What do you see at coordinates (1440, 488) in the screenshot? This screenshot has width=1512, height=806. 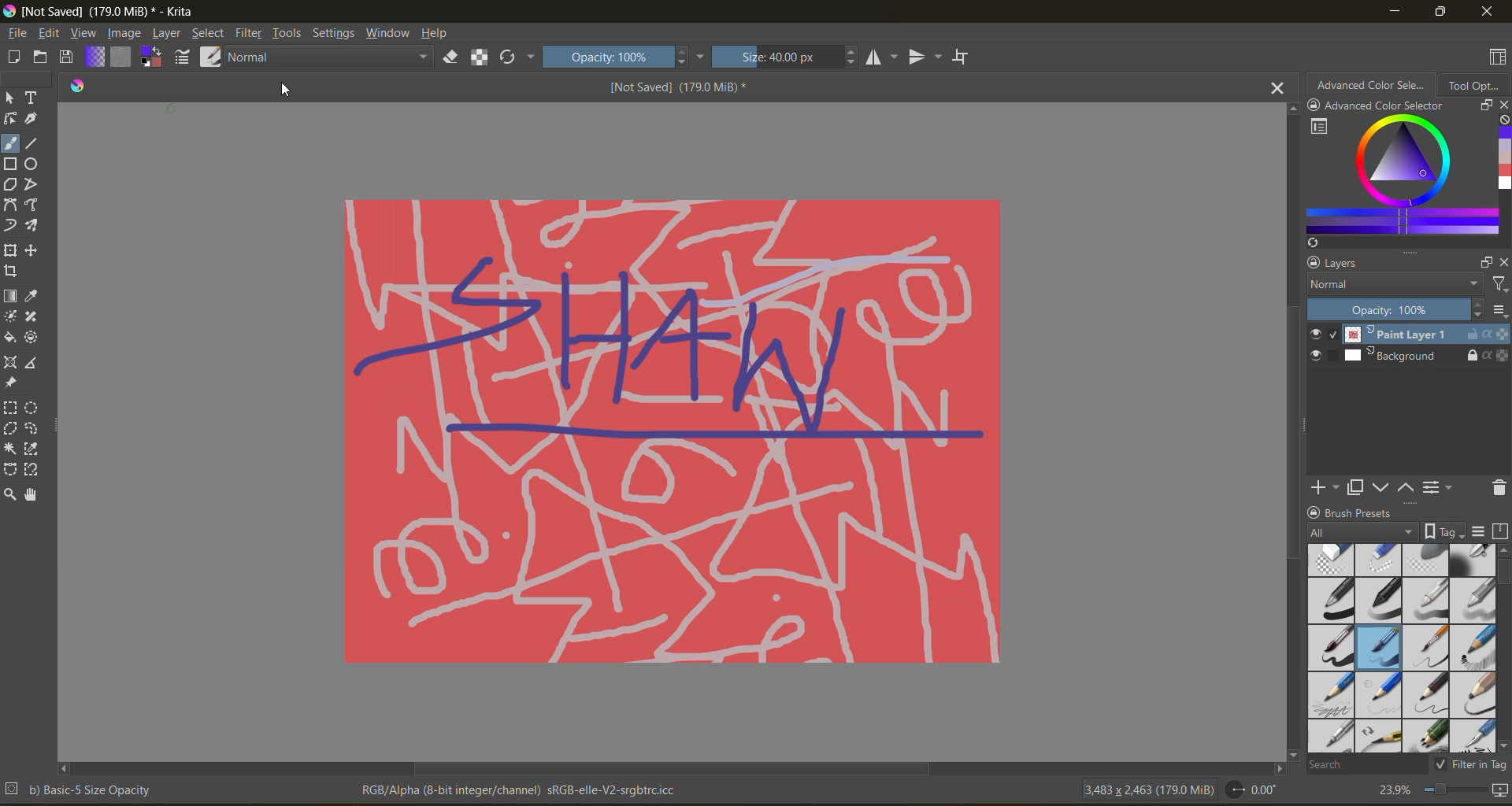 I see `view/change layer` at bounding box center [1440, 488].